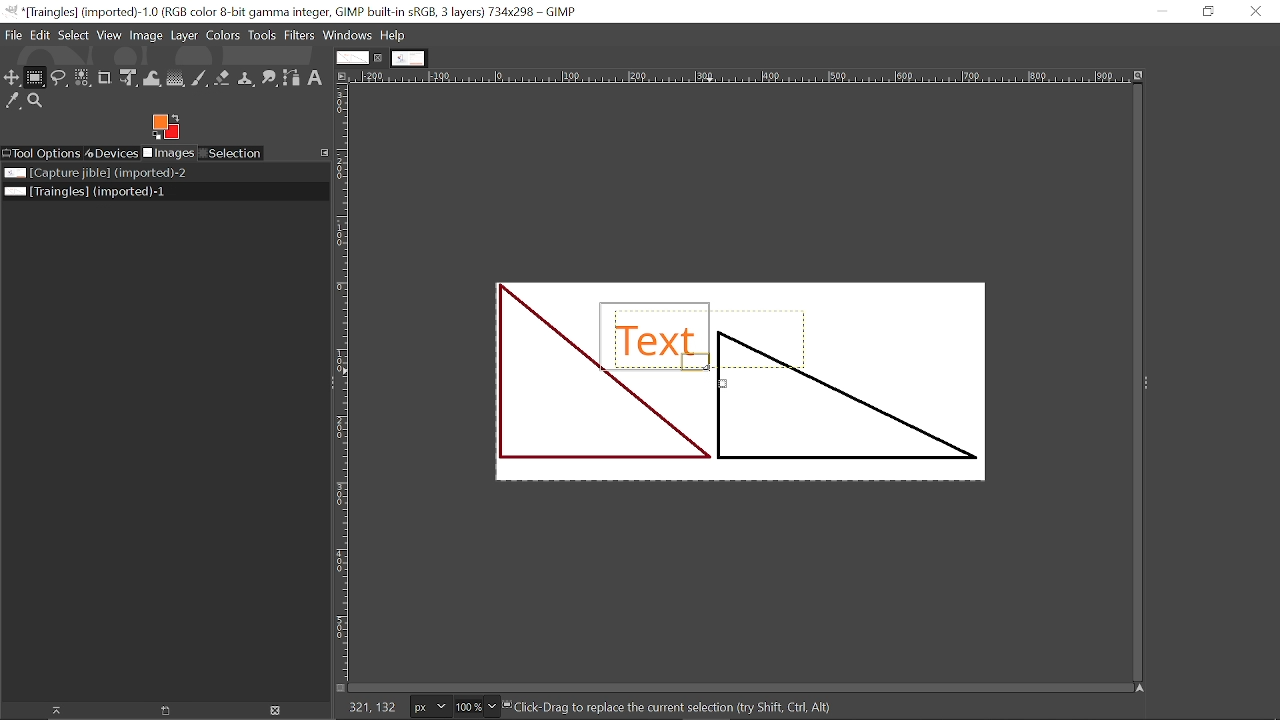 Image resolution: width=1280 pixels, height=720 pixels. Describe the element at coordinates (223, 36) in the screenshot. I see `Colors` at that location.